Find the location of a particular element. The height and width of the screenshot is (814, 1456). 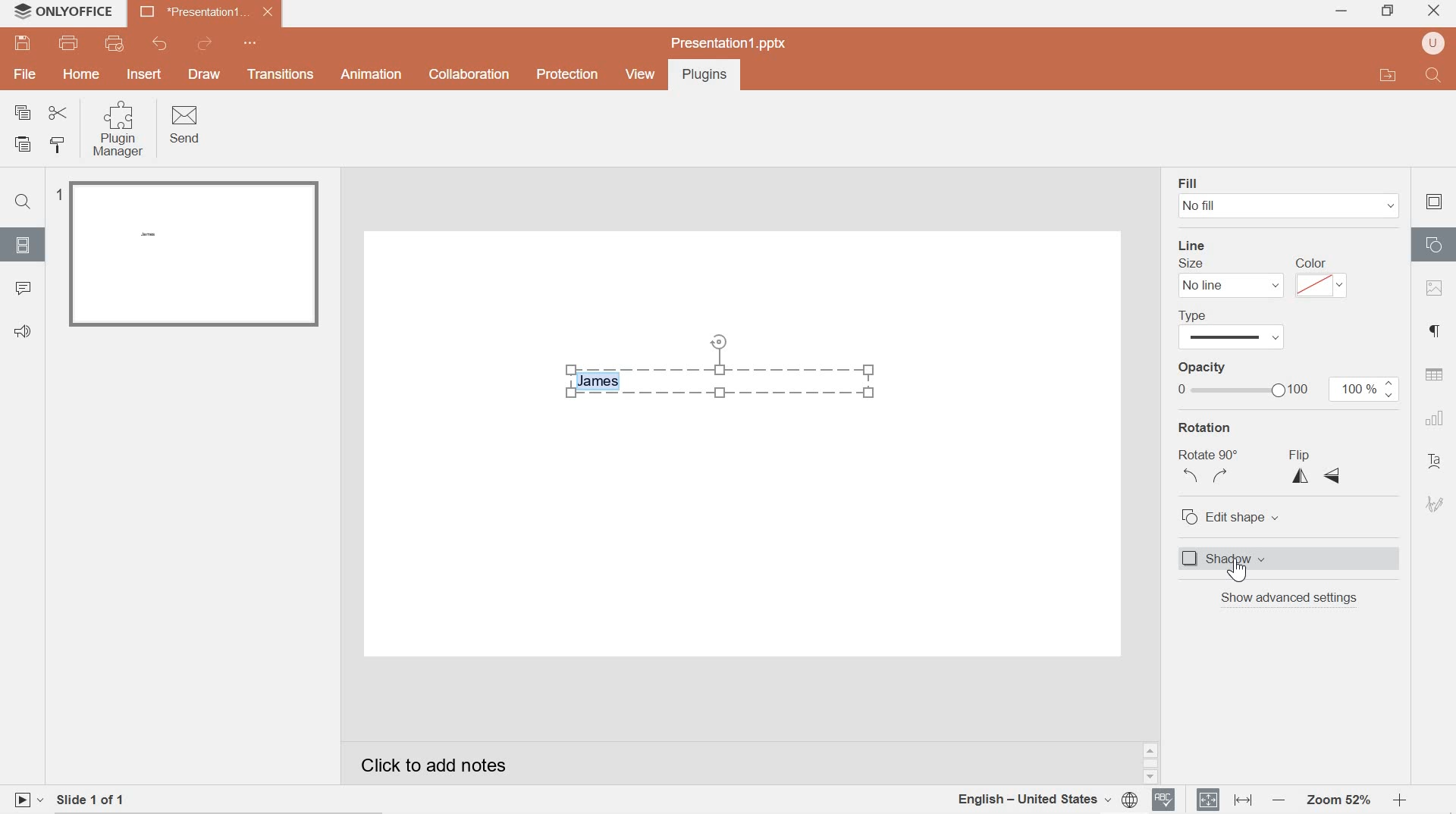

table is located at coordinates (1435, 374).